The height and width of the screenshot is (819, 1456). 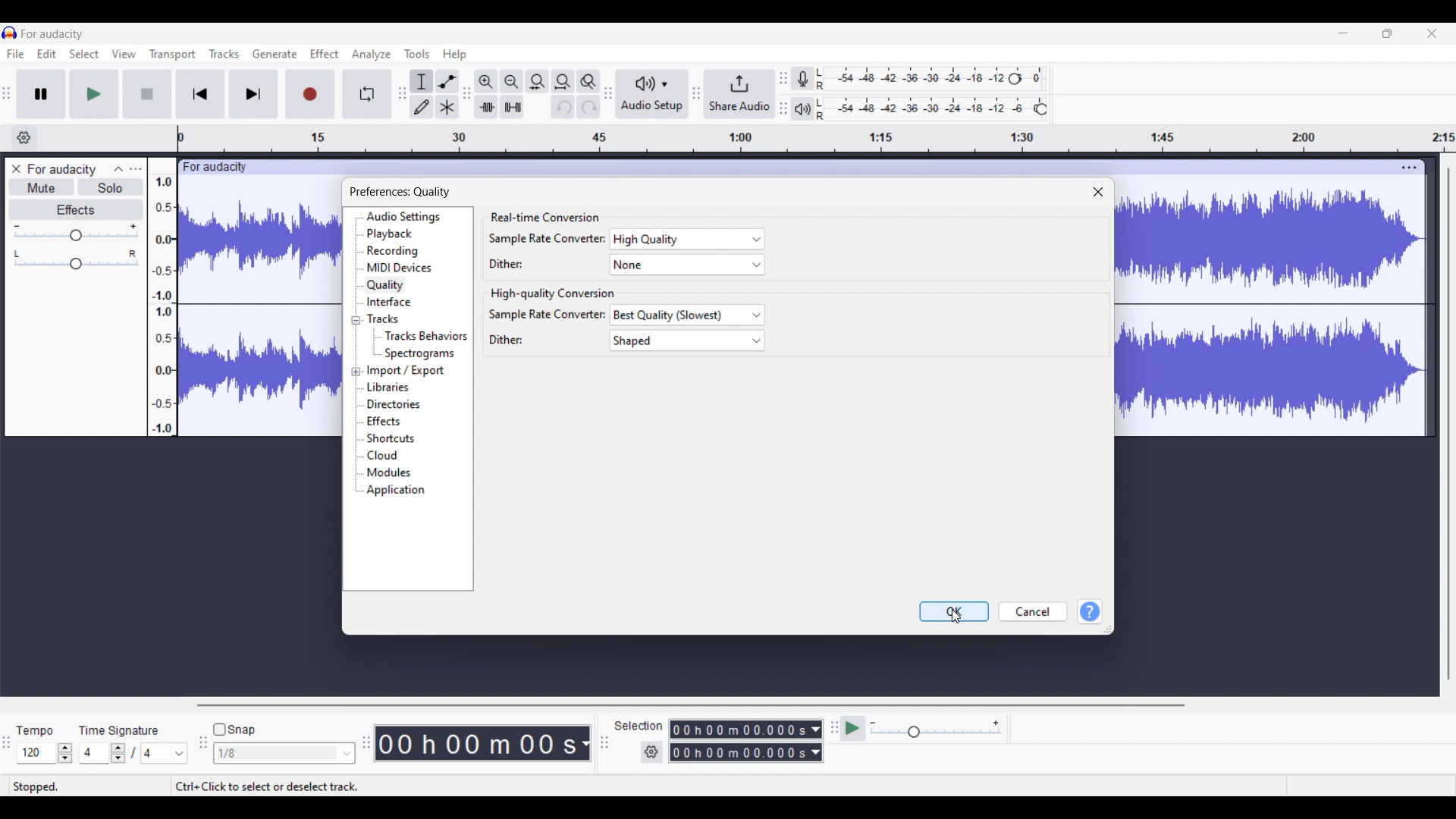 I want to click on Show in smaller tab, so click(x=1387, y=33).